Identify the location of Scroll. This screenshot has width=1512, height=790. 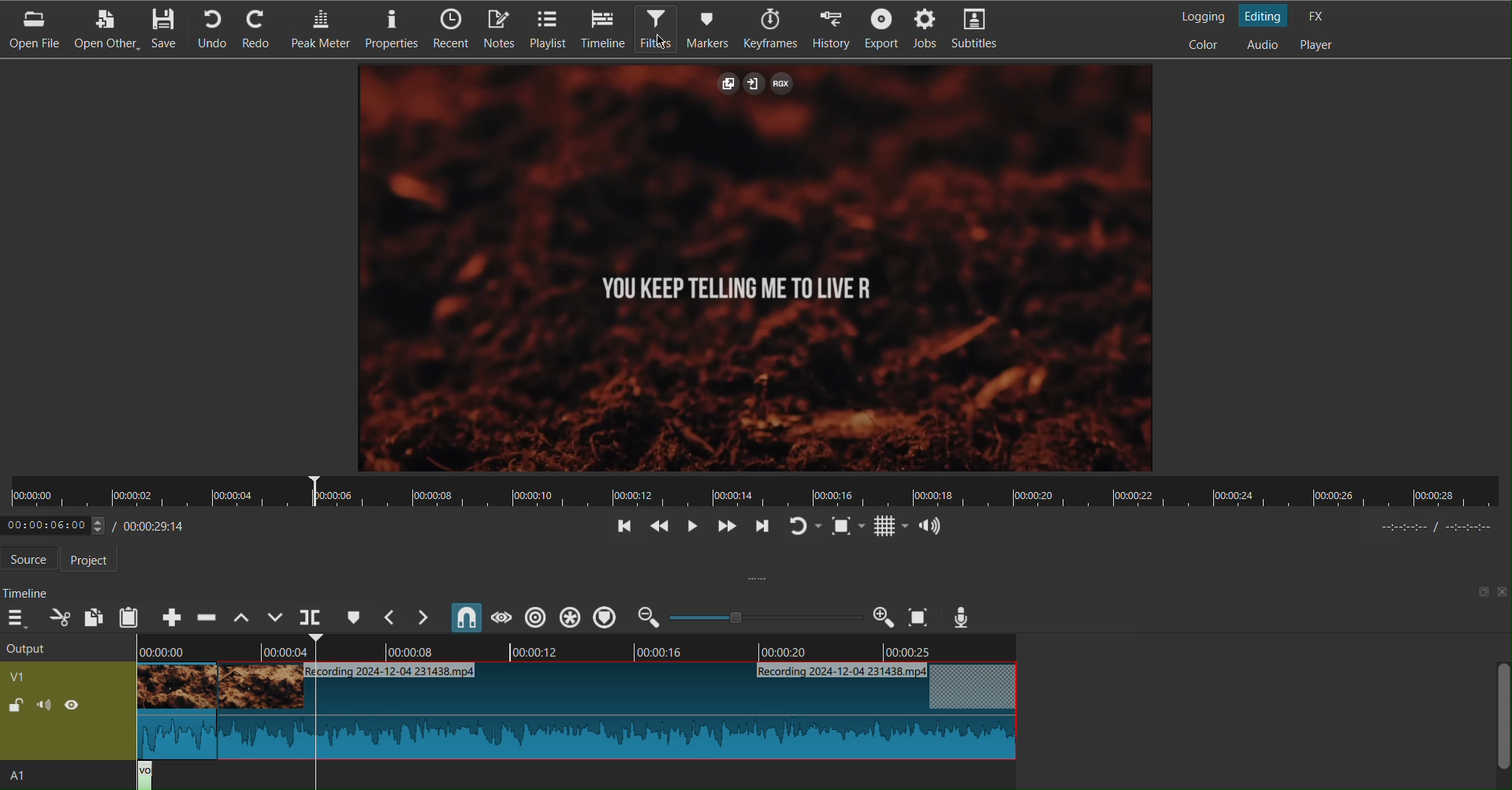
(1499, 724).